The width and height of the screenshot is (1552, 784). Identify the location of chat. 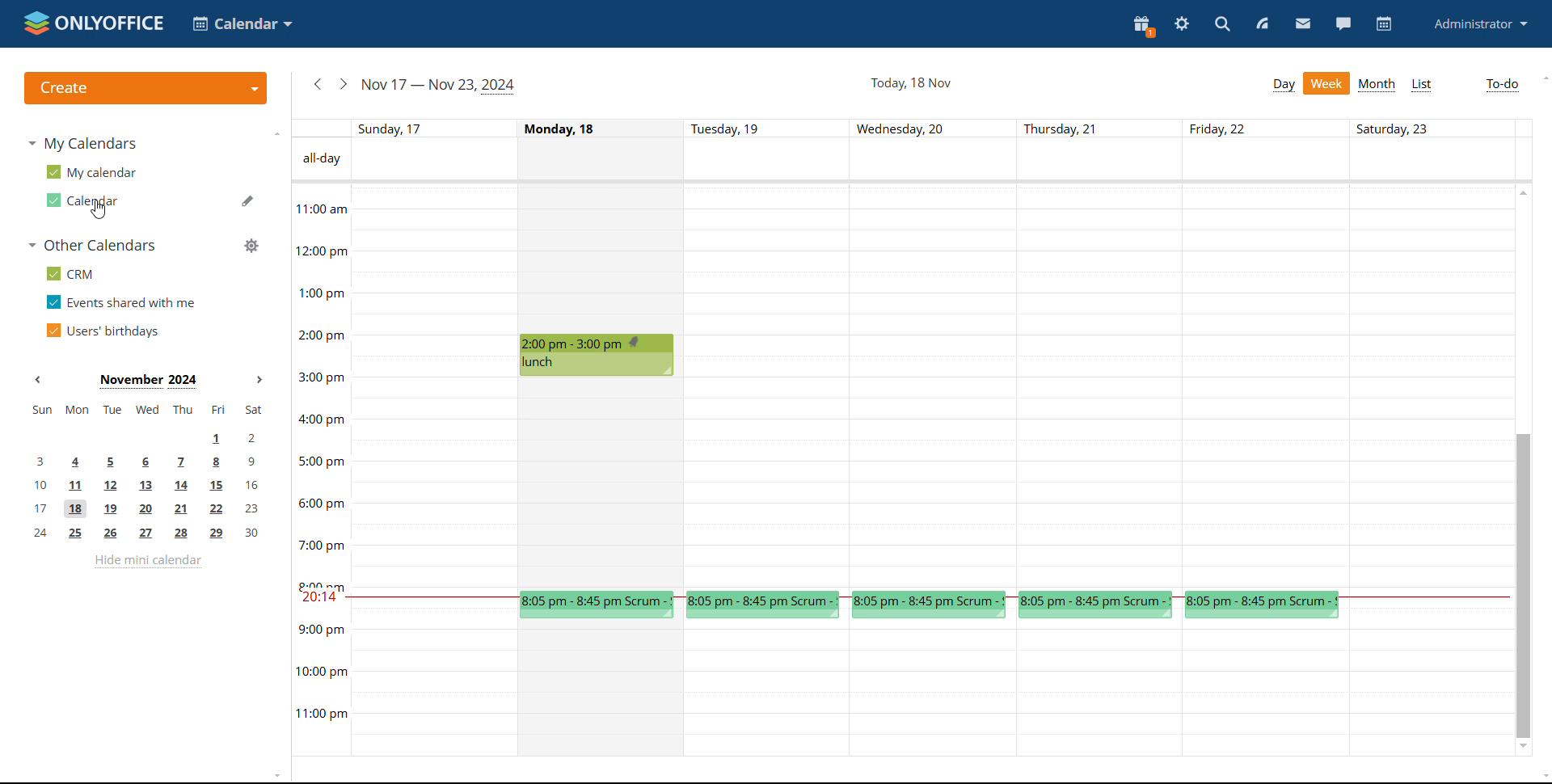
(1345, 23).